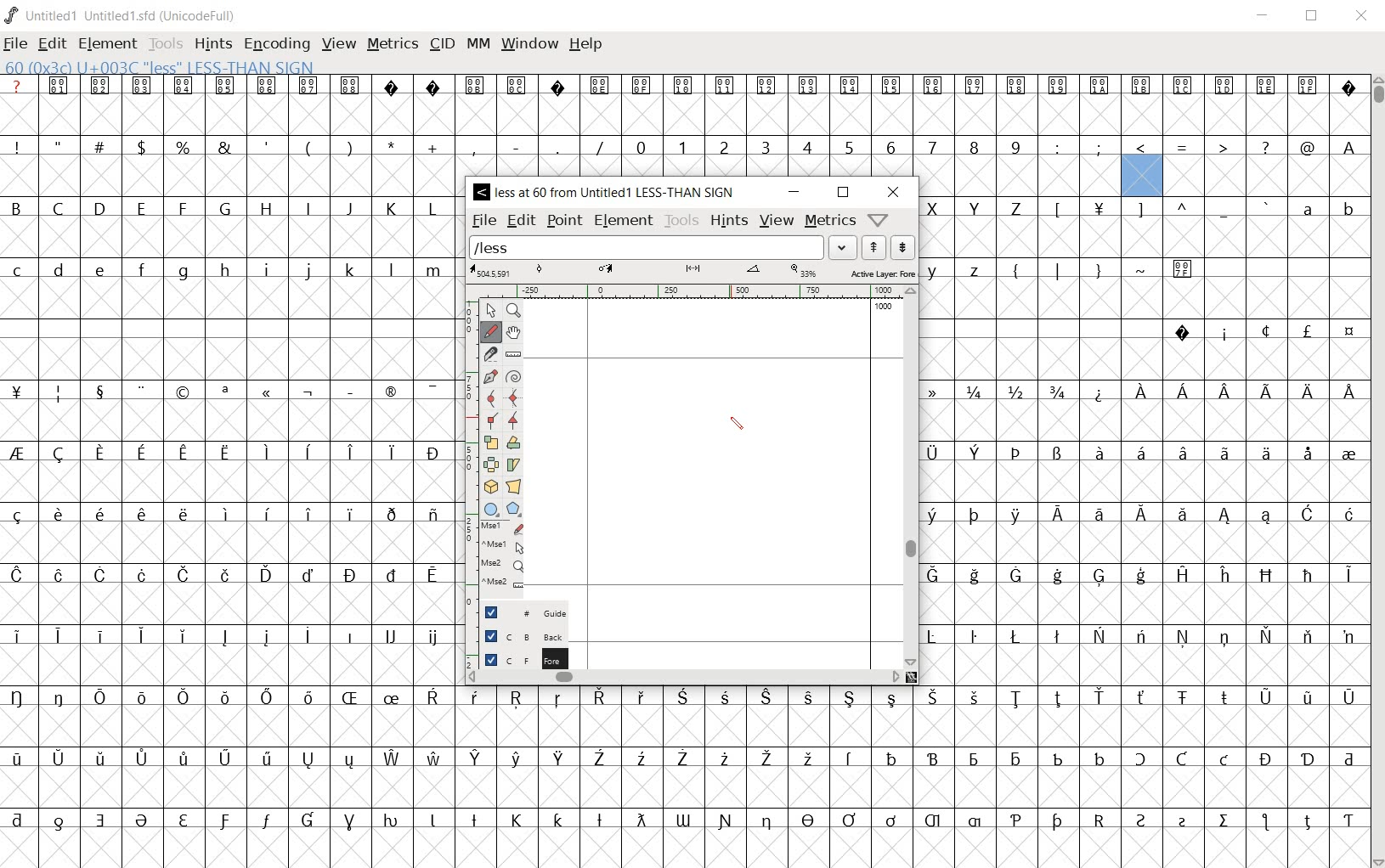  I want to click on empty cells, so click(1142, 603).